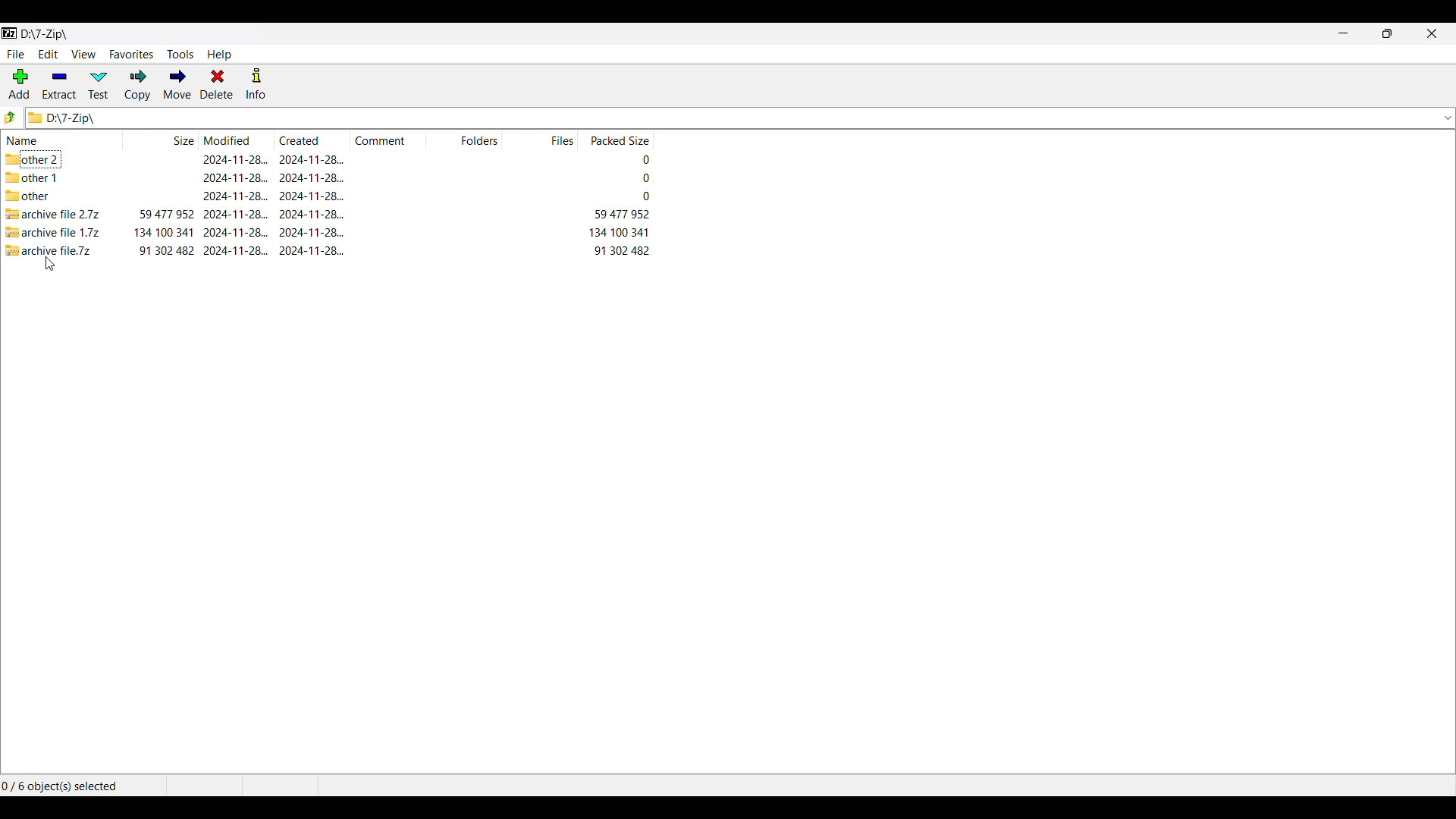  Describe the element at coordinates (313, 140) in the screenshot. I see `Created column` at that location.